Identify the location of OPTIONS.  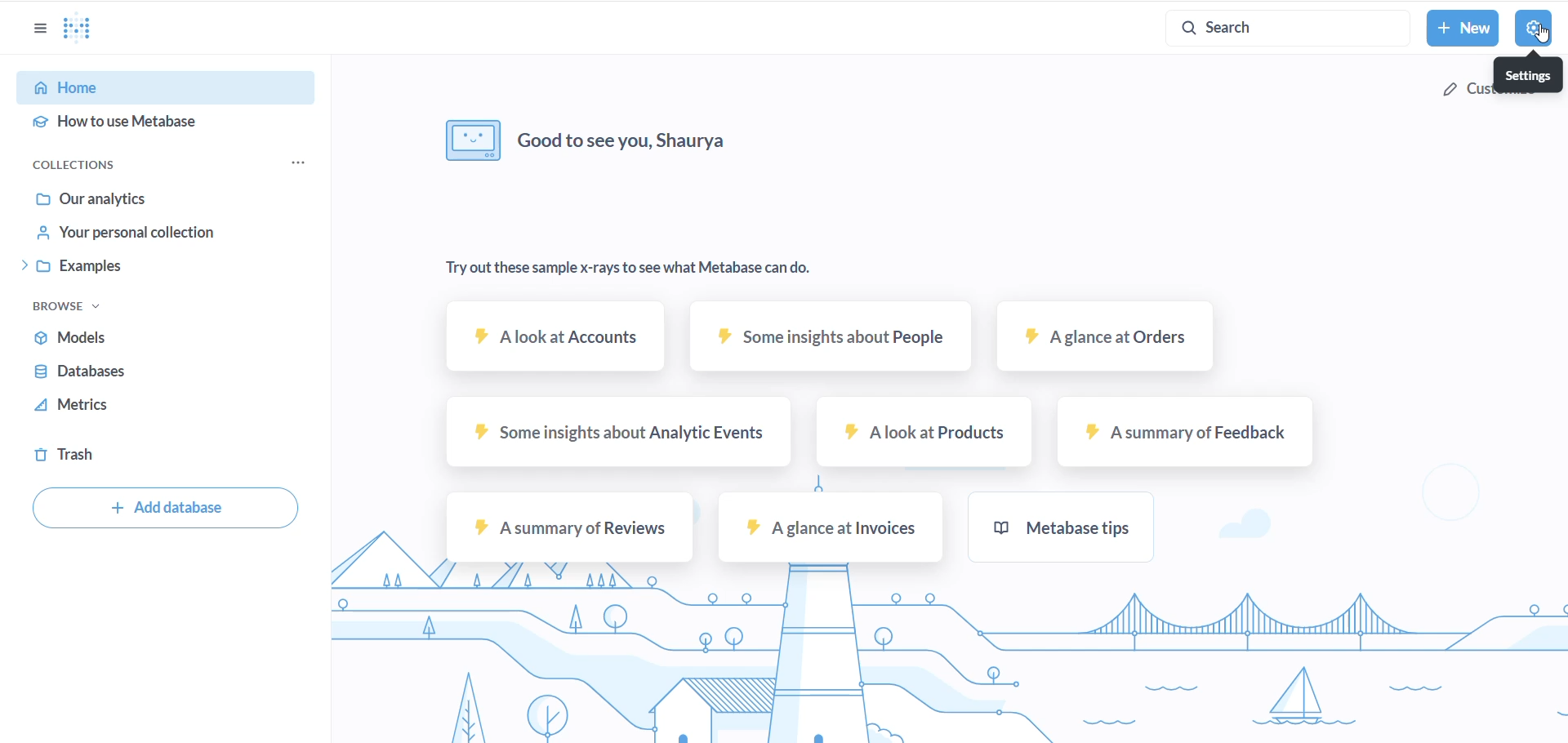
(38, 31).